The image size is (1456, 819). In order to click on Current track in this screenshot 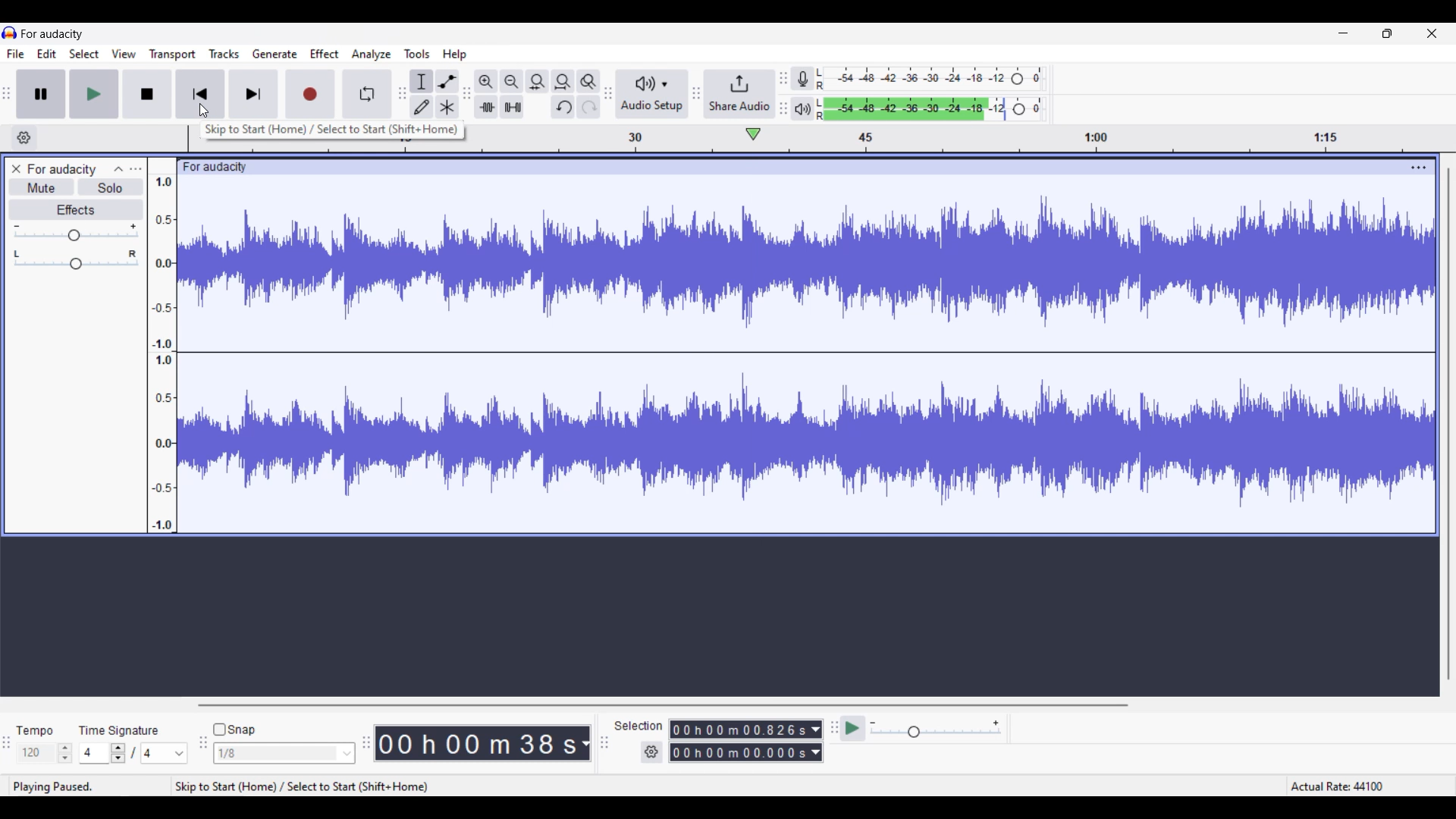, I will do `click(806, 354)`.